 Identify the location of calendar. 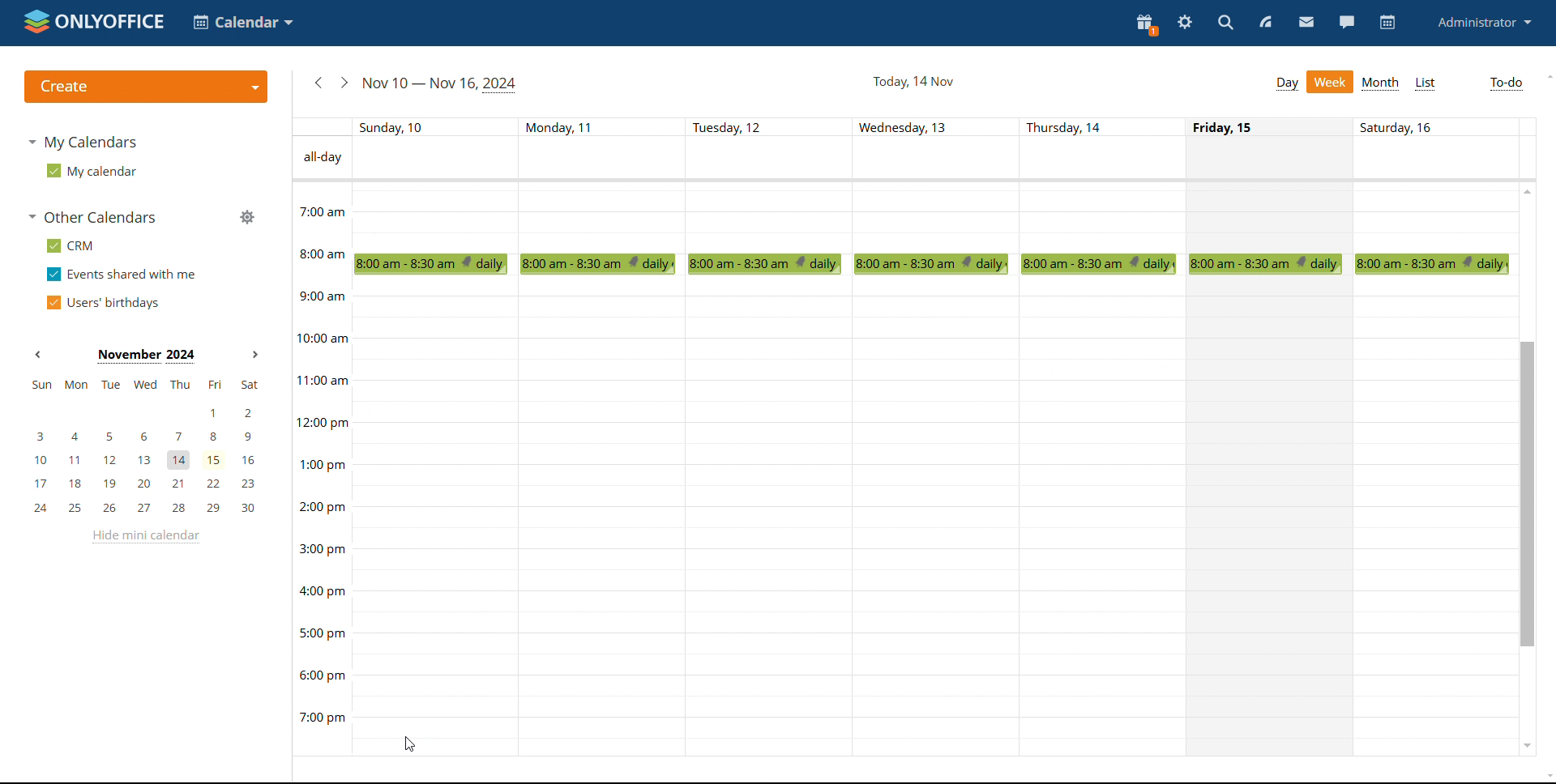
(1387, 23).